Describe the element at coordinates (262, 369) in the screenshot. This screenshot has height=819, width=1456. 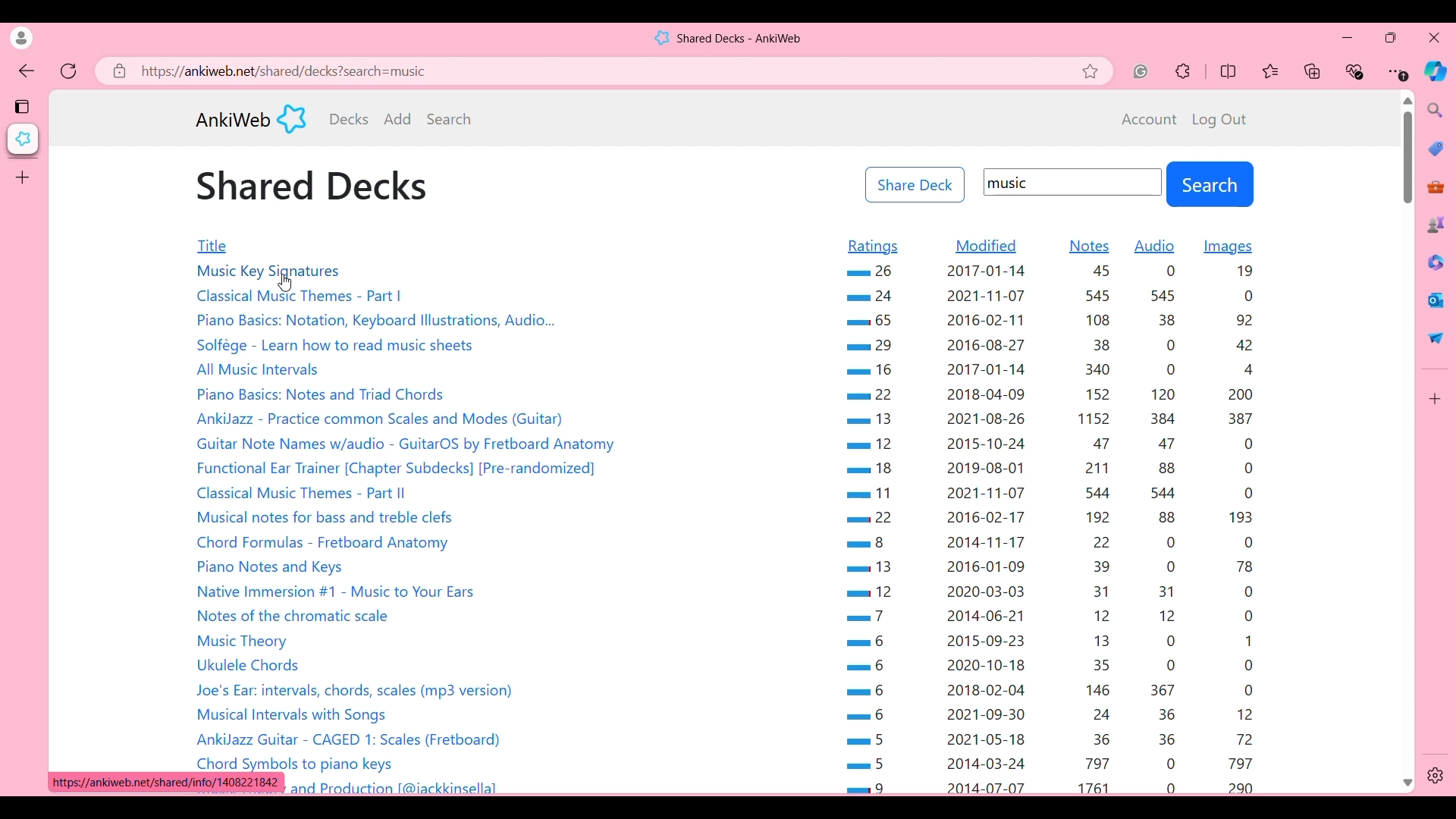
I see `All Music Intervals` at that location.